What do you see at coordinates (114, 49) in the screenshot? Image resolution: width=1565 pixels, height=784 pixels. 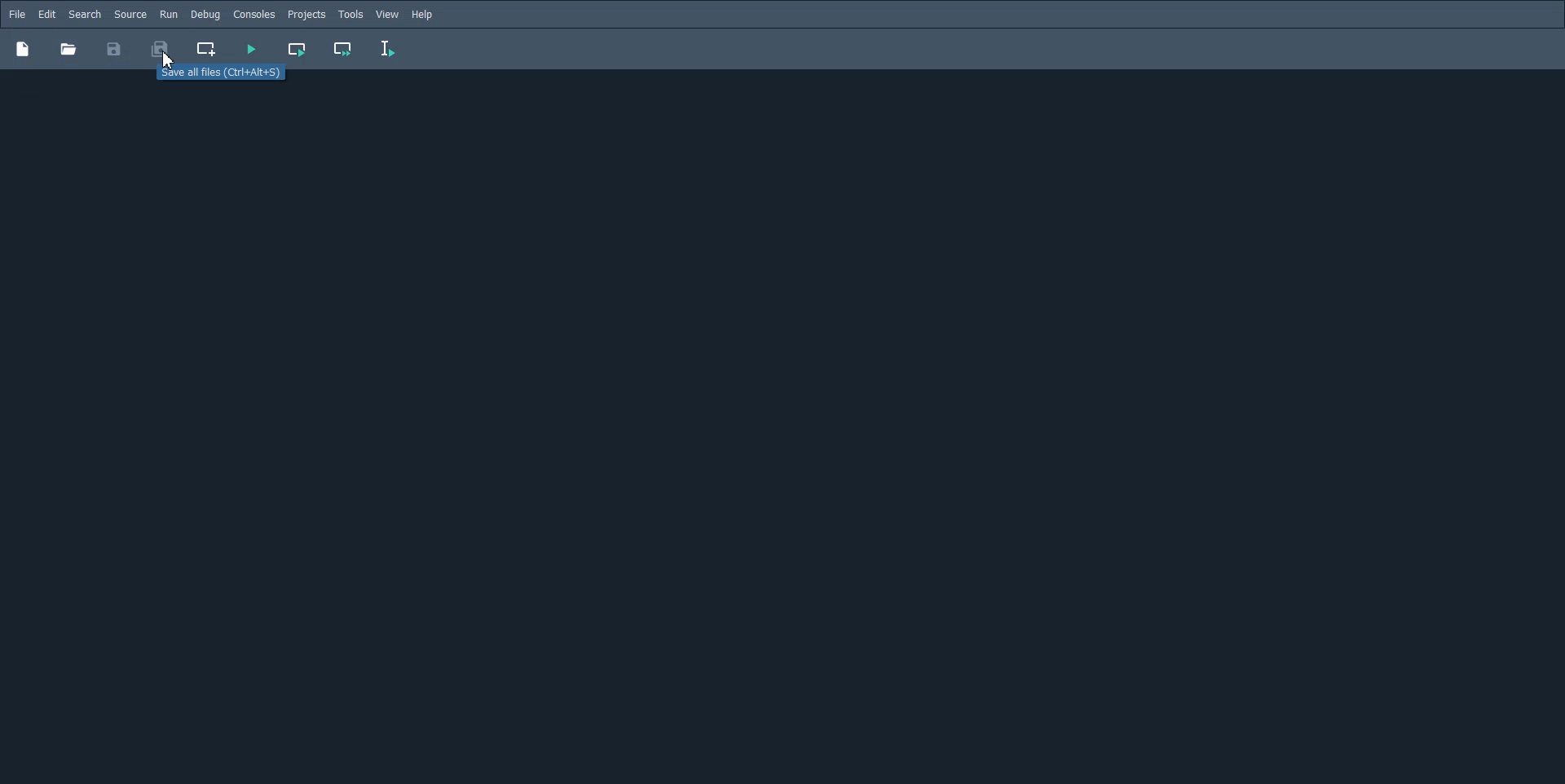 I see `Save File` at bounding box center [114, 49].